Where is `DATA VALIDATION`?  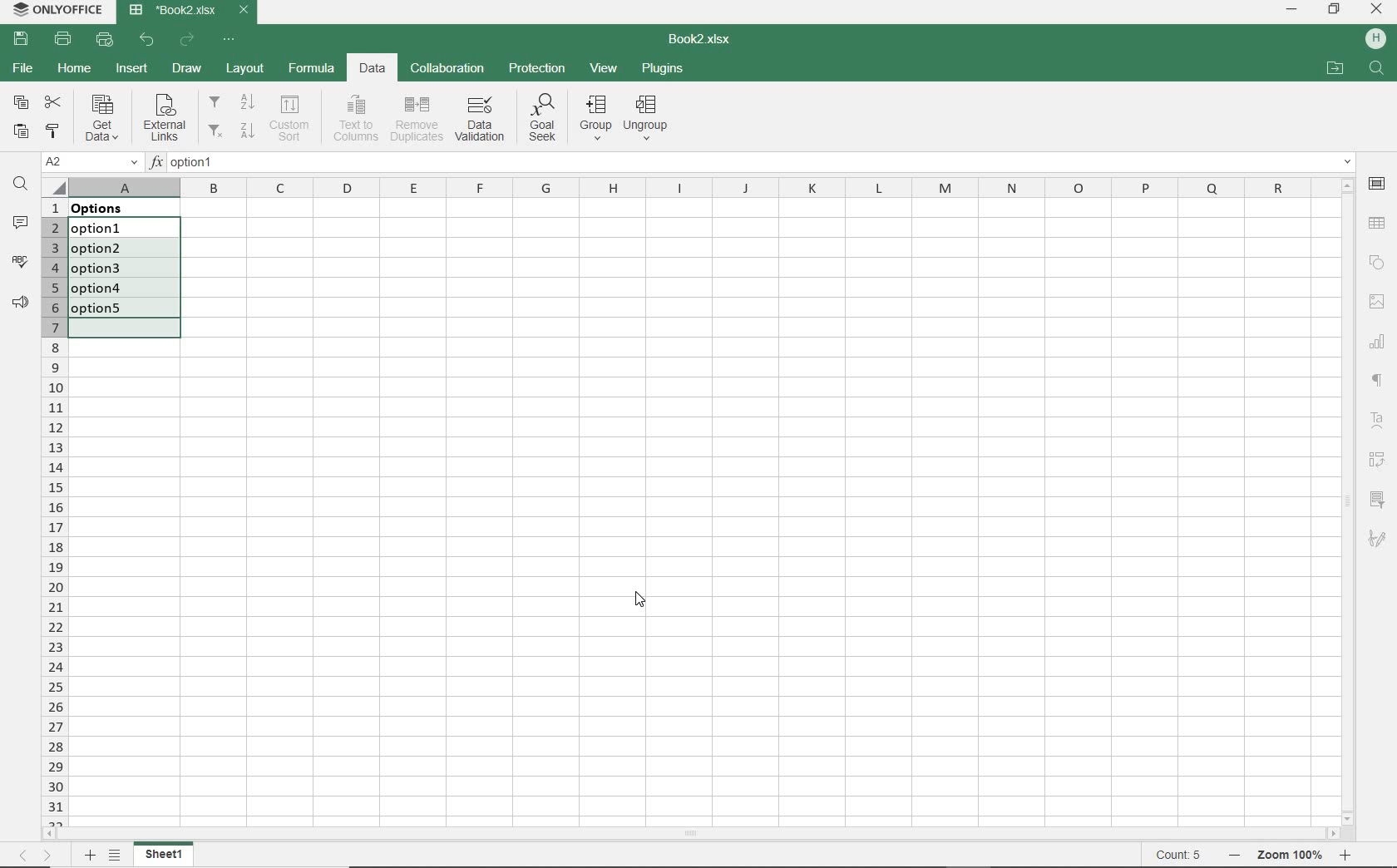
DATA VALIDATION is located at coordinates (479, 120).